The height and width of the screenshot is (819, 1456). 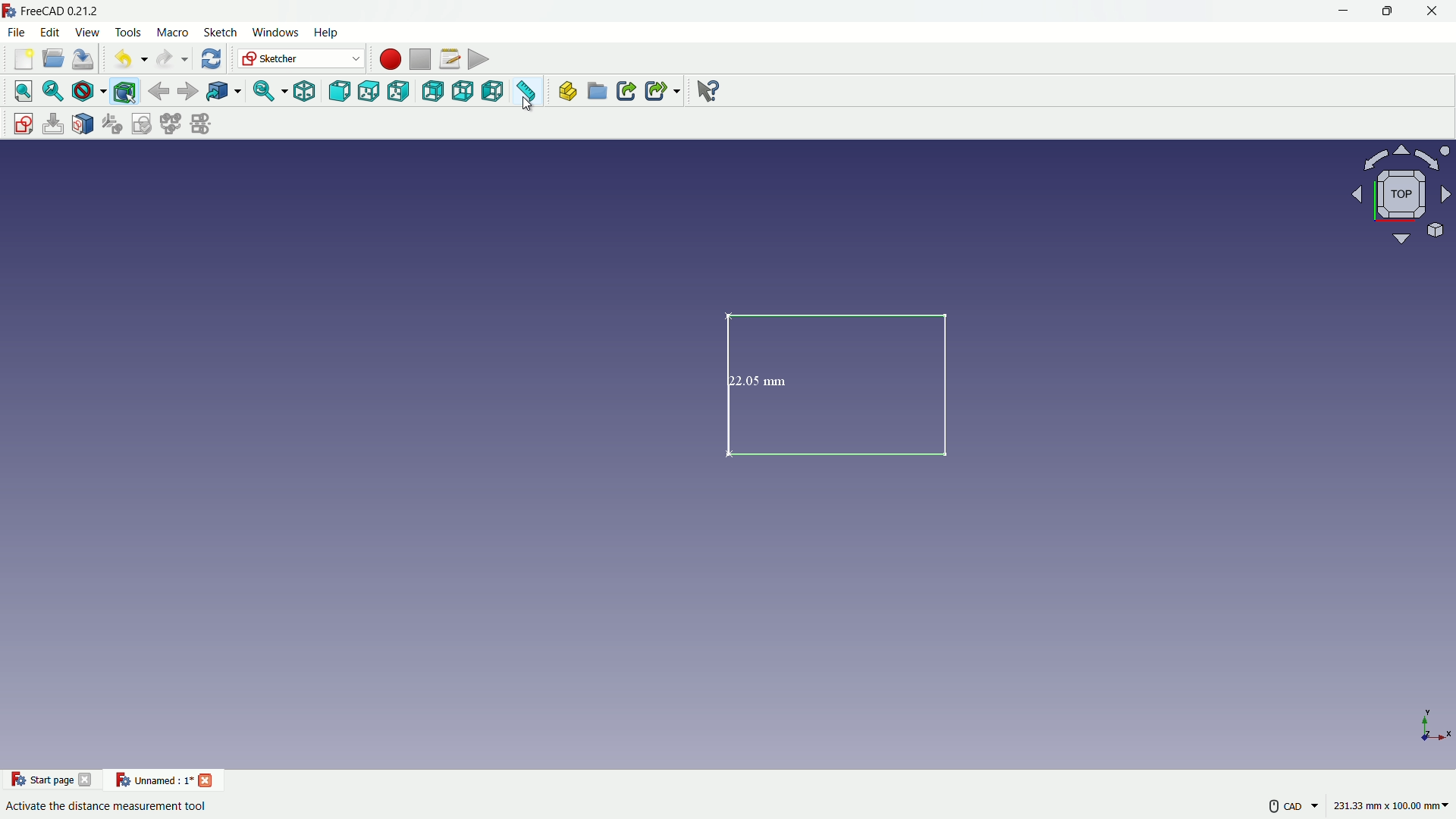 I want to click on placement axes, so click(x=1433, y=725).